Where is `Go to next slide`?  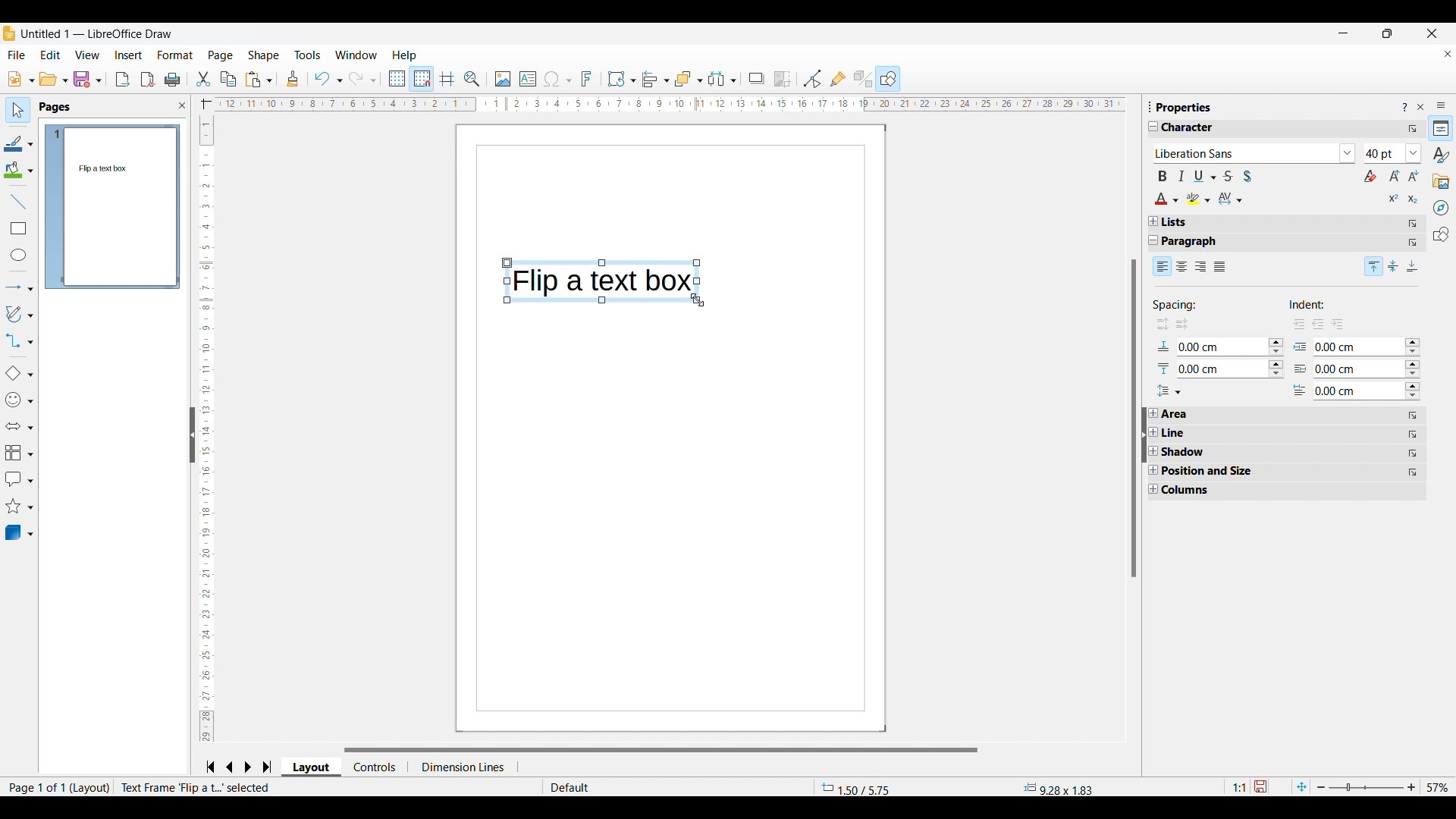
Go to next slide is located at coordinates (247, 767).